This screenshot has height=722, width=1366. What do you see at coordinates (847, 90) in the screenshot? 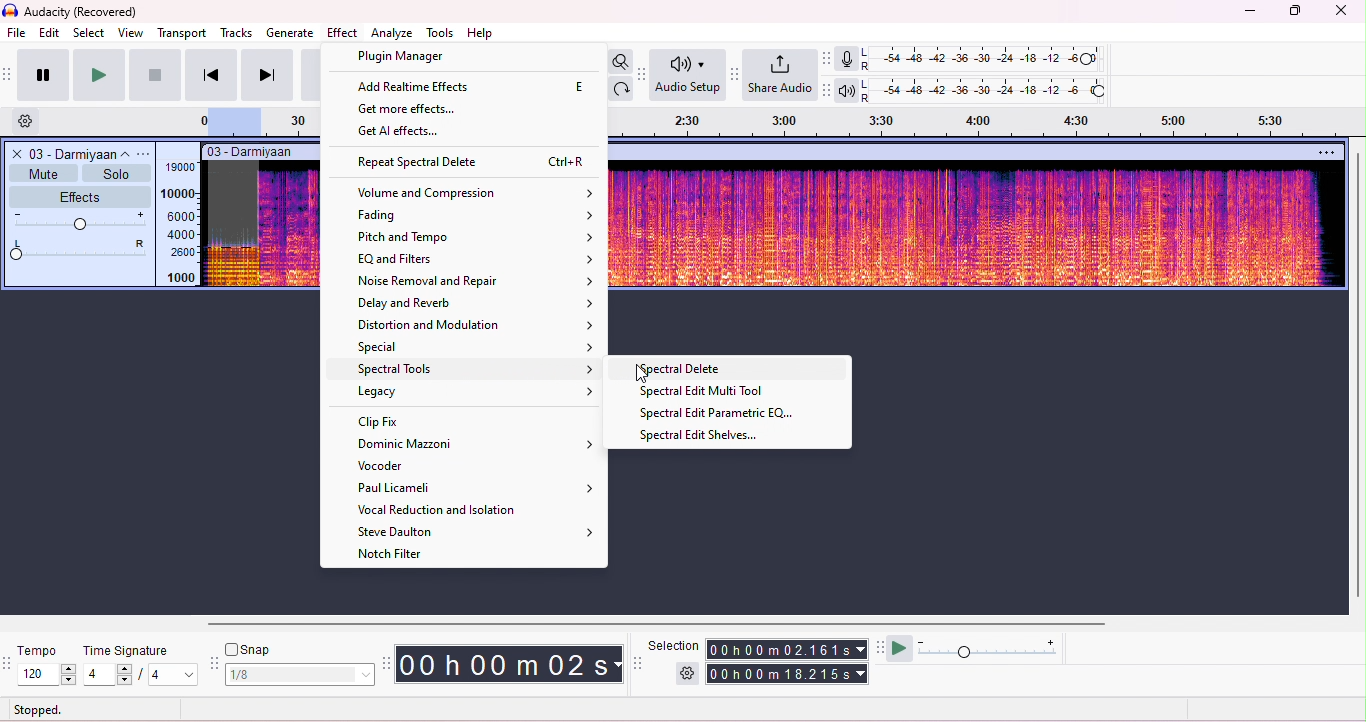
I see `playback meter` at bounding box center [847, 90].